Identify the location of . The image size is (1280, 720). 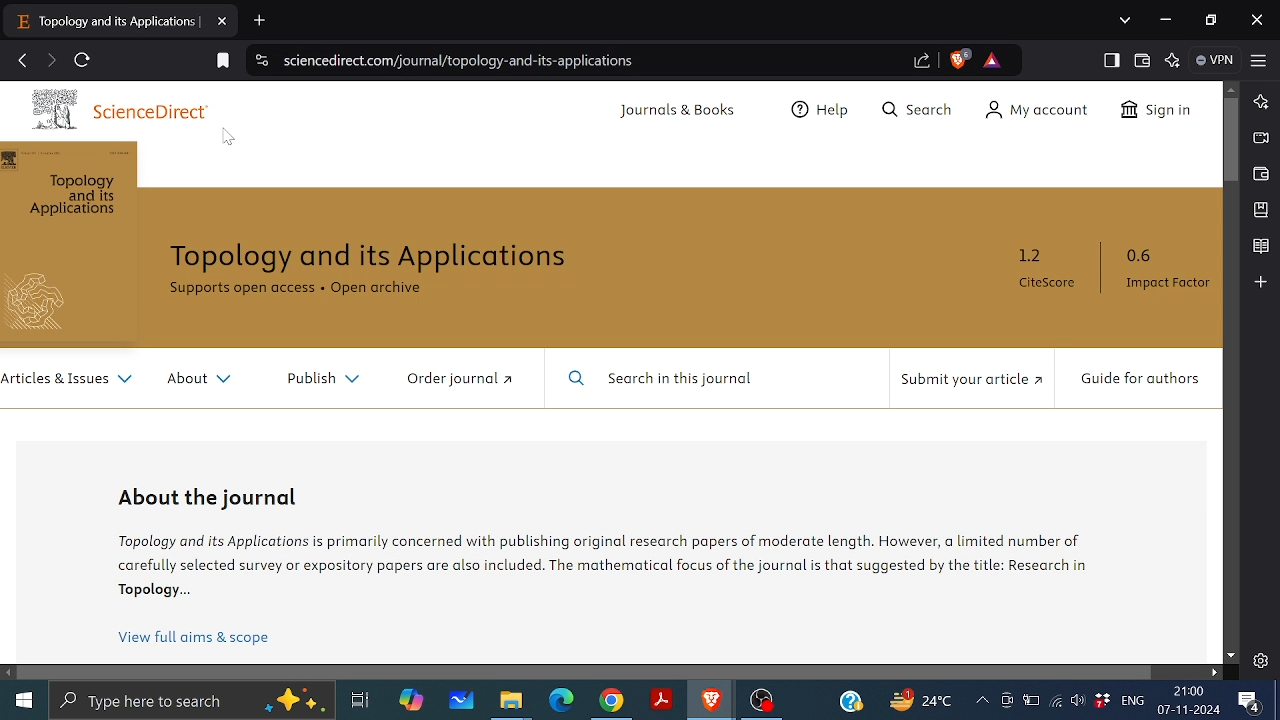
(1260, 136).